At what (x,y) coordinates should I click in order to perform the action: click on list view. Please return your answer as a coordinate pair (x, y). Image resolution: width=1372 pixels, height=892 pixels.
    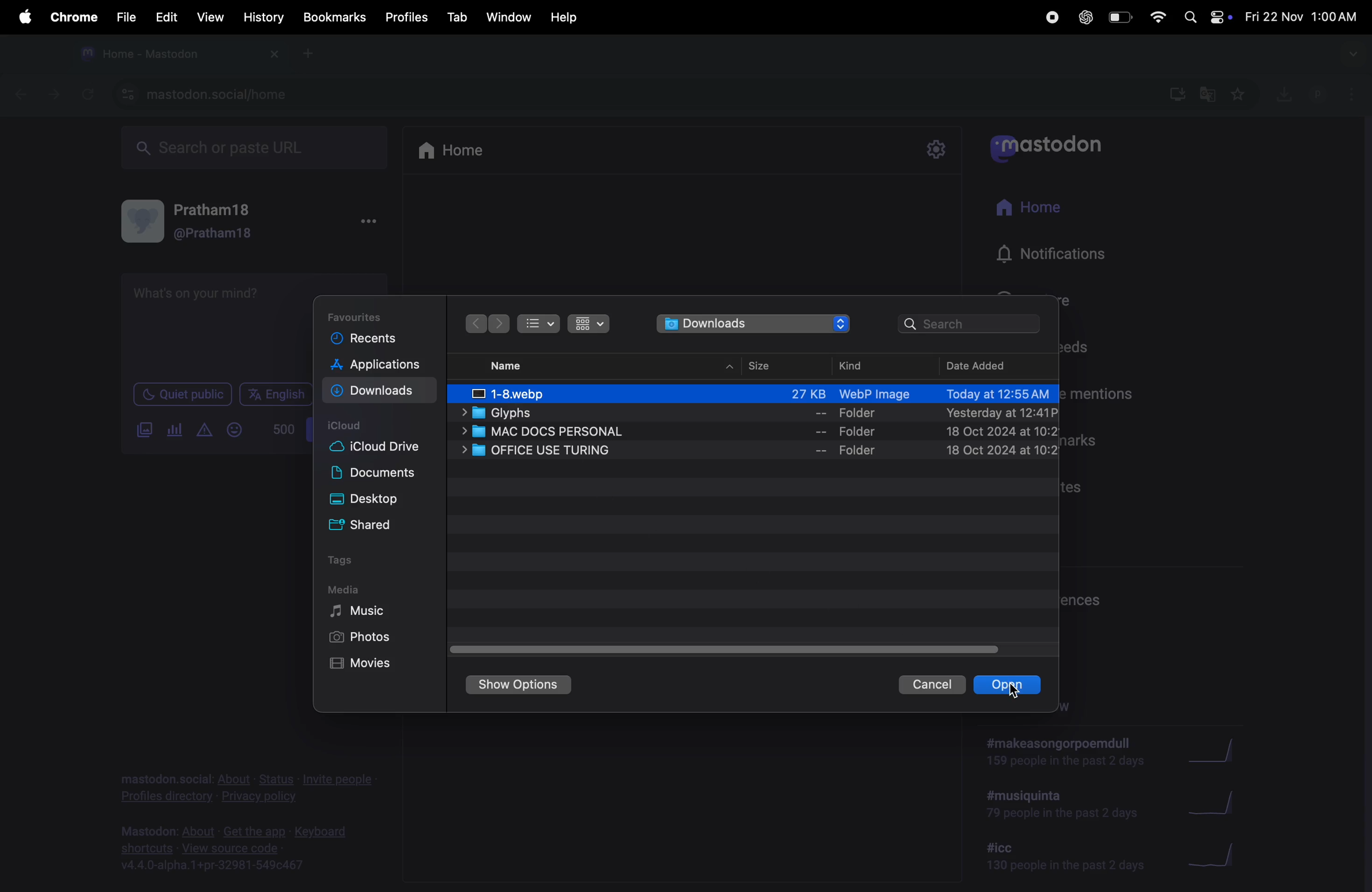
    Looking at the image, I should click on (539, 322).